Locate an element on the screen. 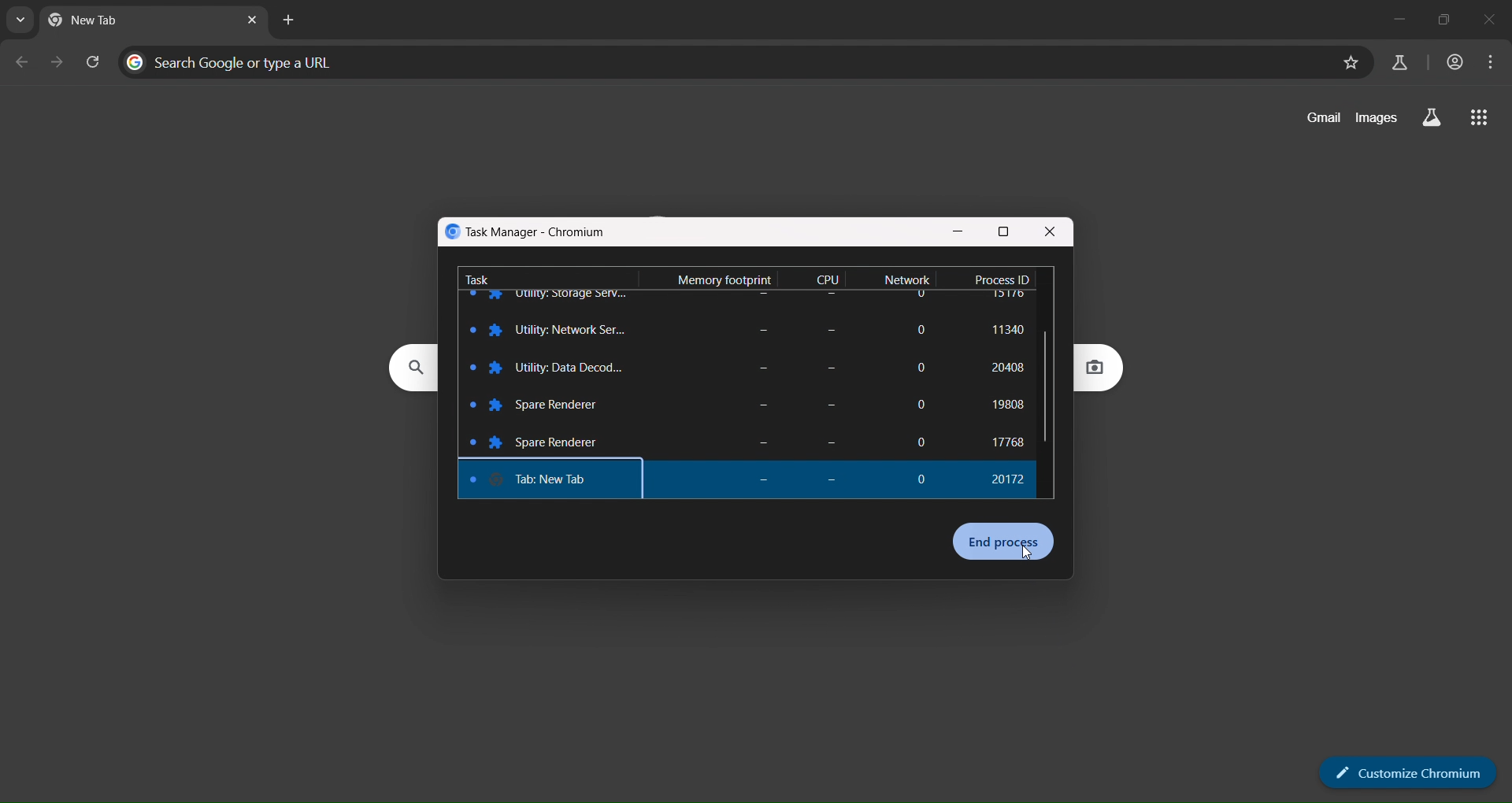 The width and height of the screenshot is (1512, 803). no is located at coordinates (830, 327).